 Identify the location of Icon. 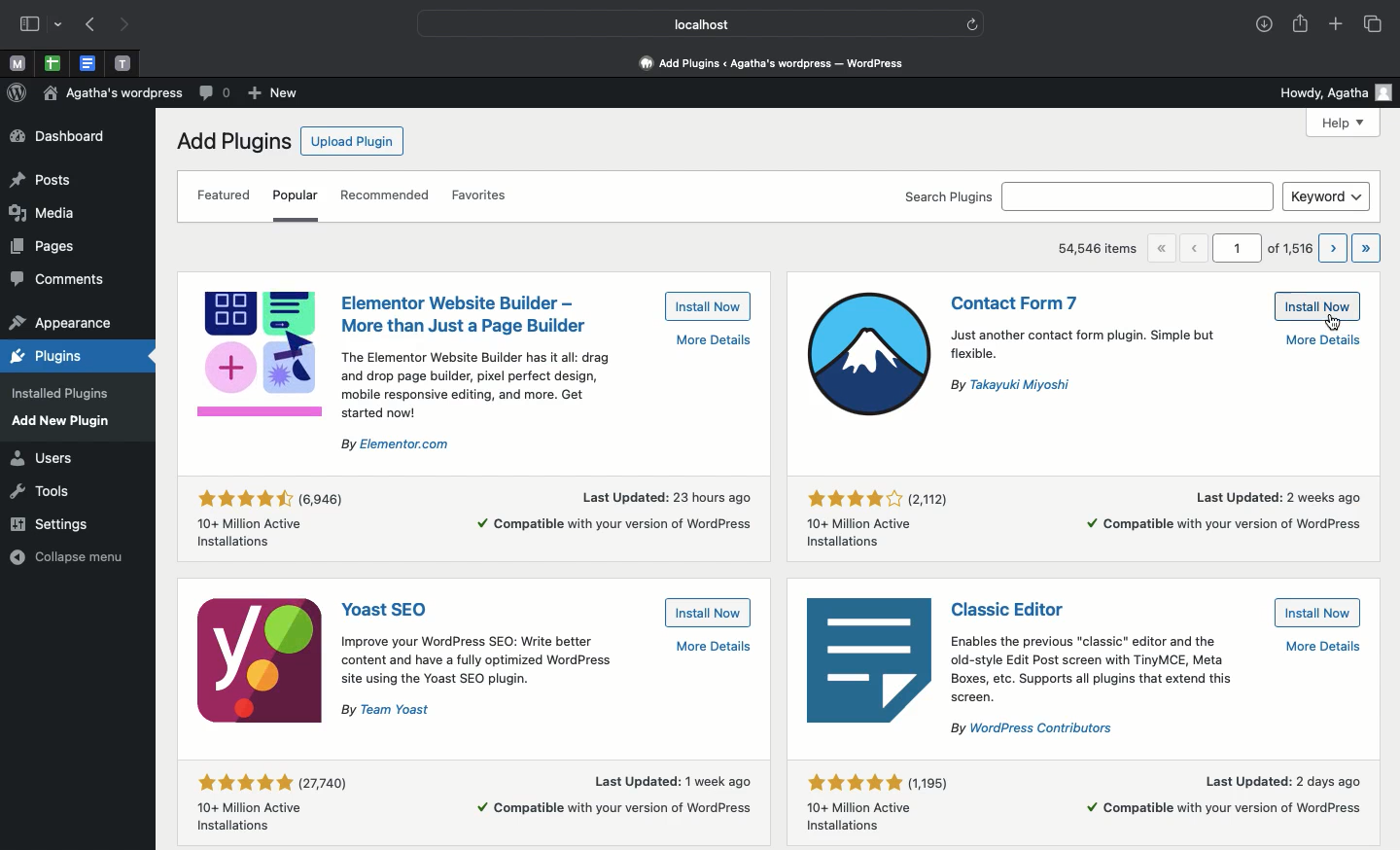
(265, 353).